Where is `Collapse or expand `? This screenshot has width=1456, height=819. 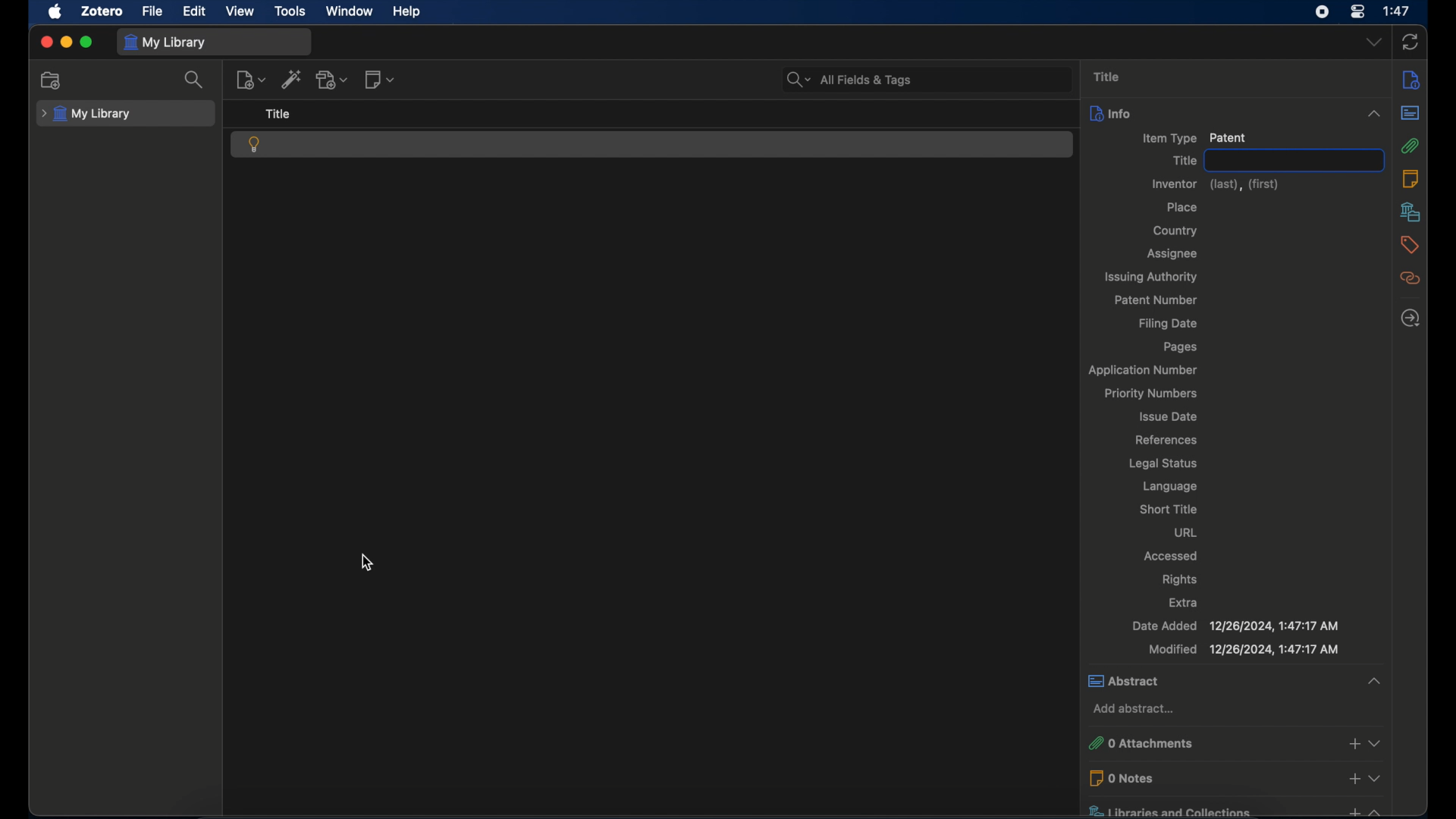 Collapse or expand  is located at coordinates (1373, 681).